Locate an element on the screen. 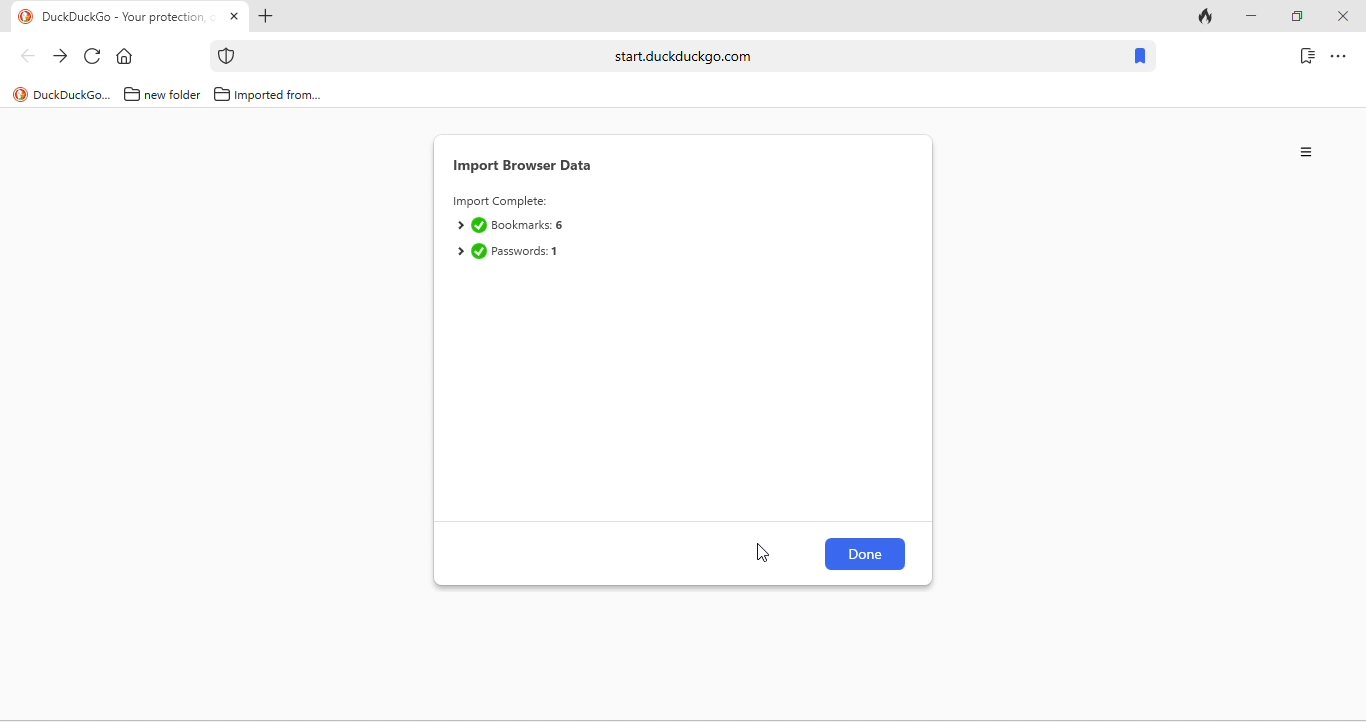  Import Browser Data is located at coordinates (525, 166).